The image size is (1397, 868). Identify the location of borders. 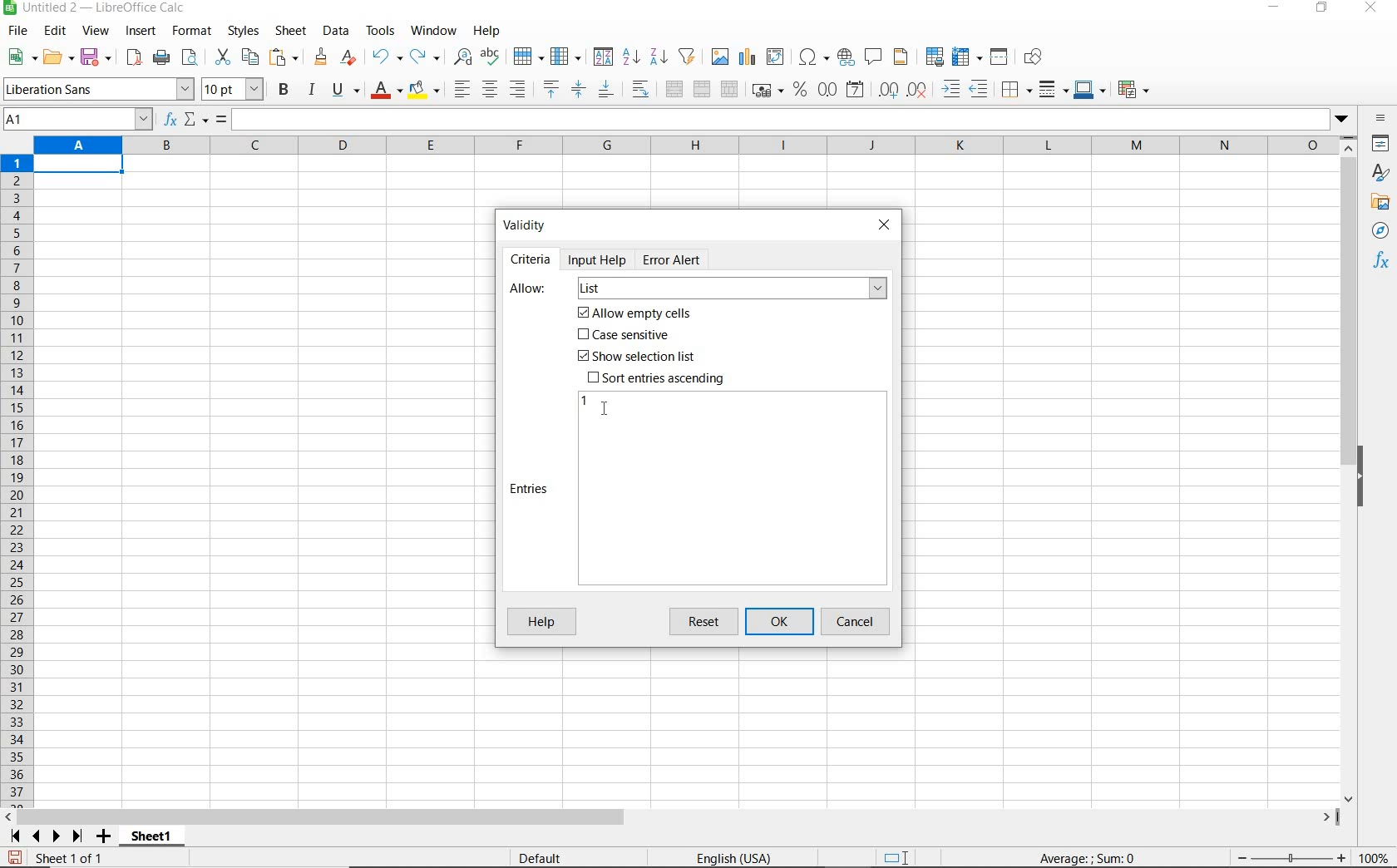
(1017, 90).